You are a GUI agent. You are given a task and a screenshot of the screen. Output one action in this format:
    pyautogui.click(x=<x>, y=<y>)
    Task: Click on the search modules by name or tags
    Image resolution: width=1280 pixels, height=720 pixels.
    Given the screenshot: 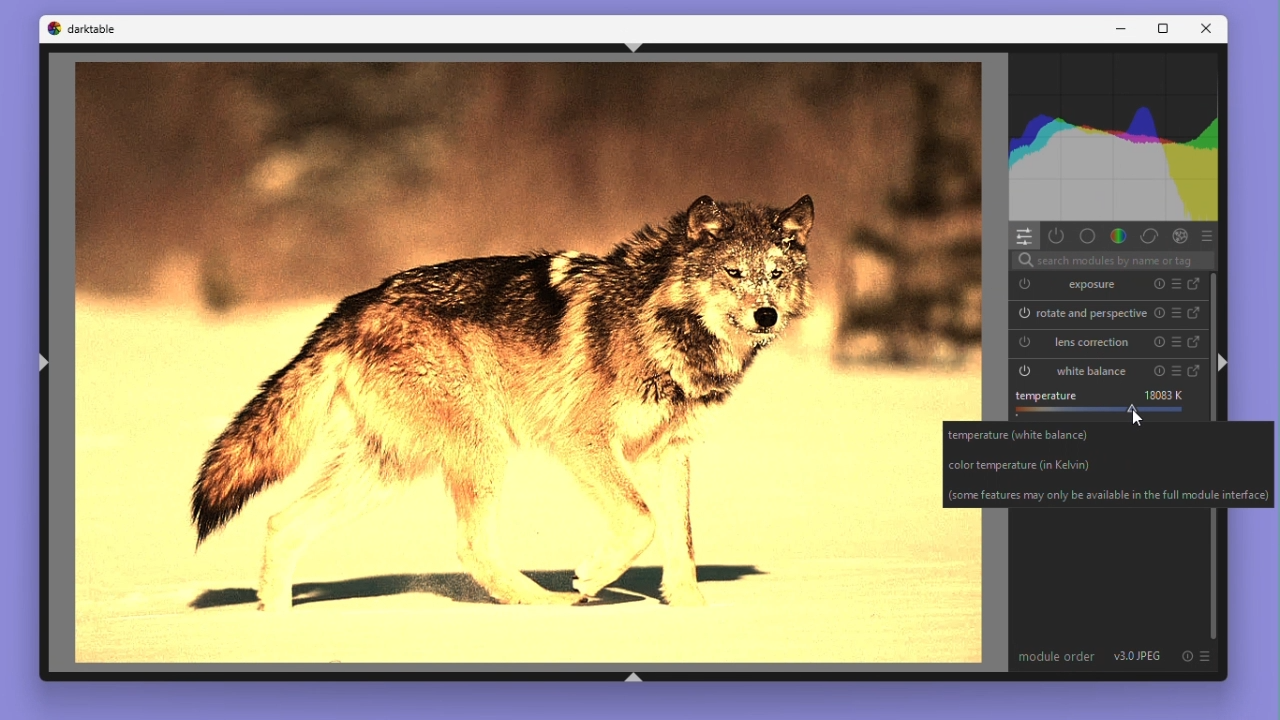 What is the action you would take?
    pyautogui.click(x=1112, y=259)
    